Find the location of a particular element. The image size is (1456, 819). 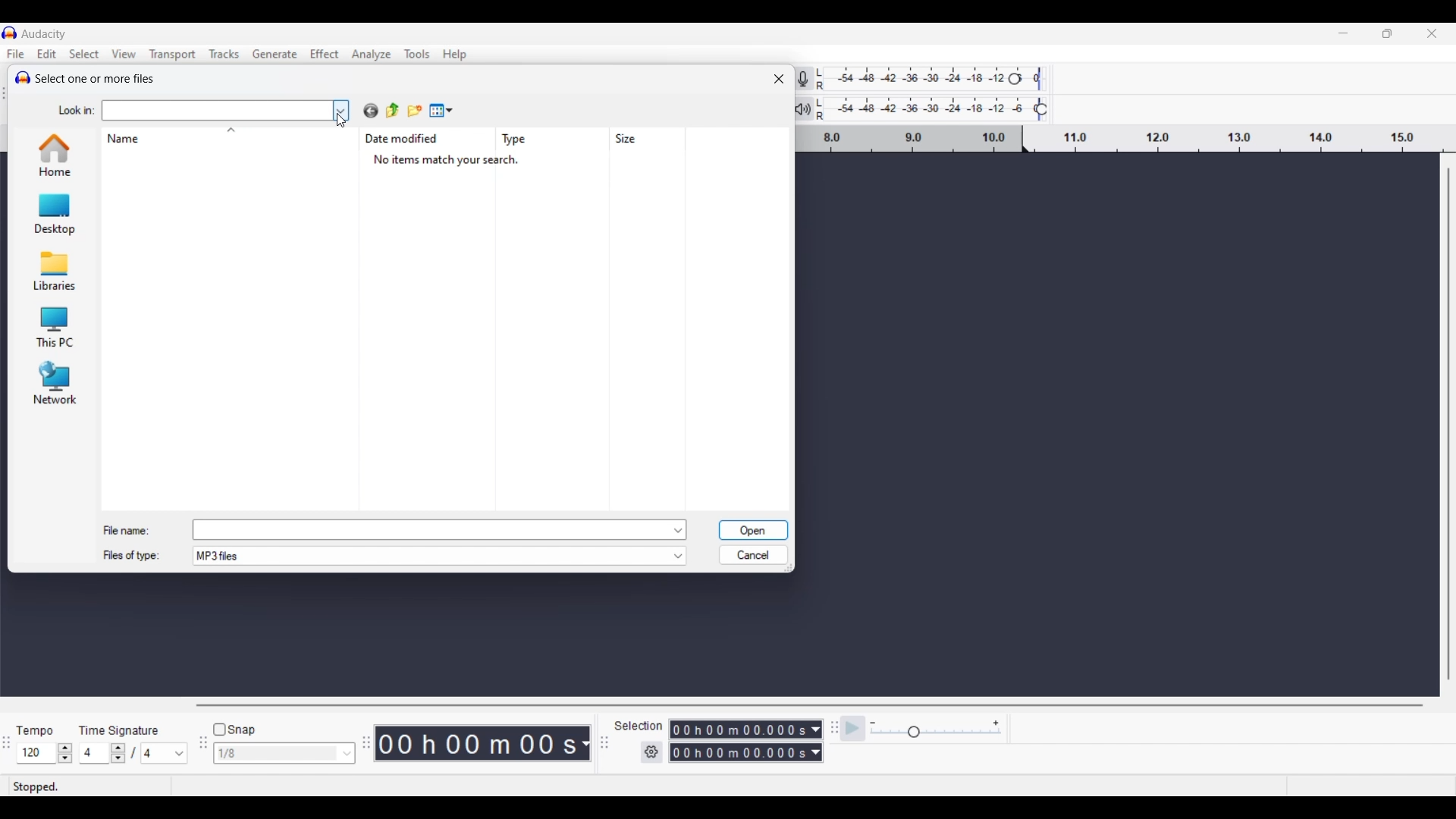

00 h 00 m 00 s is located at coordinates (485, 744).